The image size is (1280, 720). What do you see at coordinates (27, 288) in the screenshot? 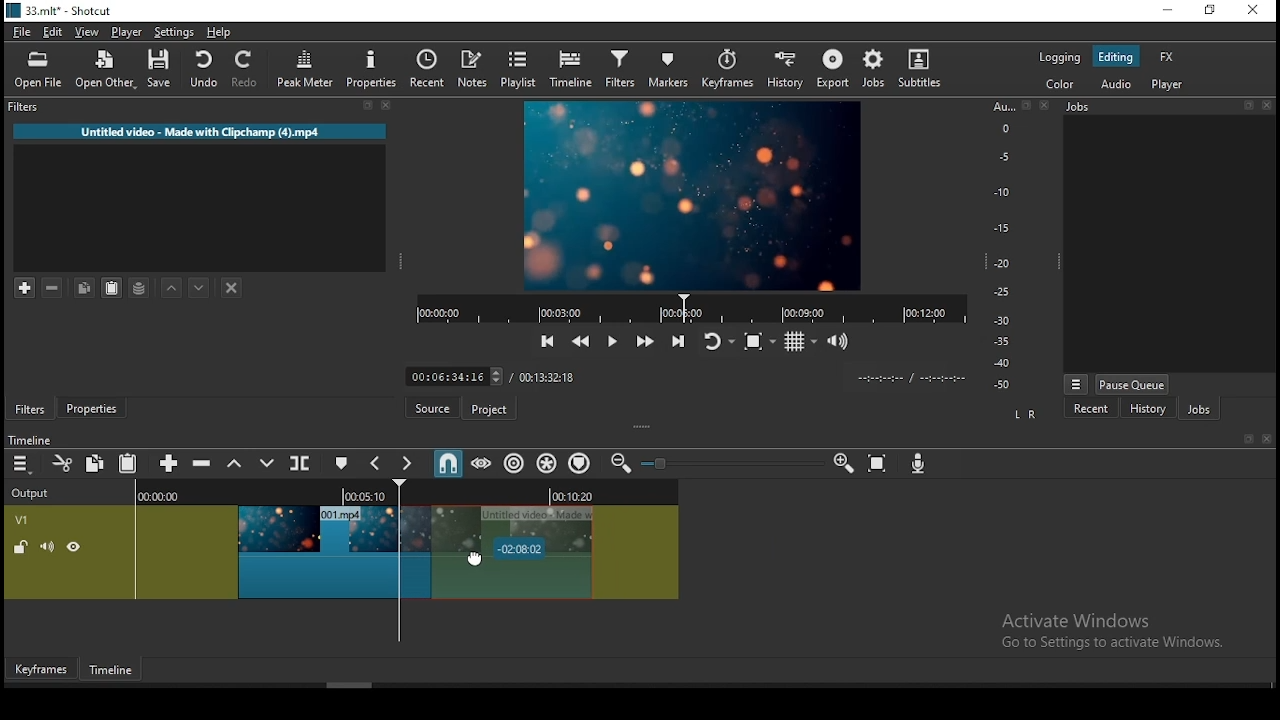
I see `add a filter` at bounding box center [27, 288].